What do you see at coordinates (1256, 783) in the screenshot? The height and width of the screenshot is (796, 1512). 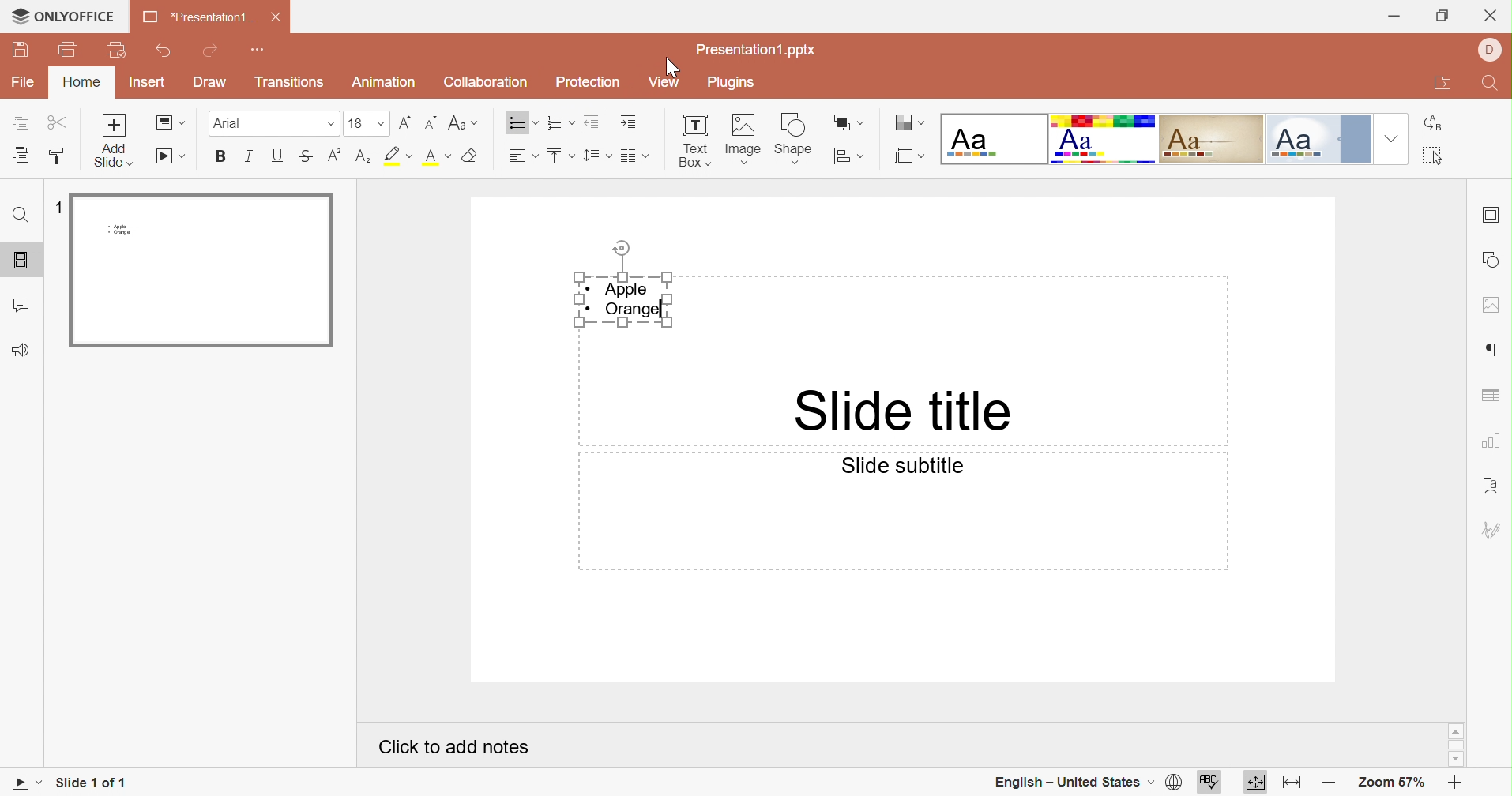 I see `Fit to slide` at bounding box center [1256, 783].